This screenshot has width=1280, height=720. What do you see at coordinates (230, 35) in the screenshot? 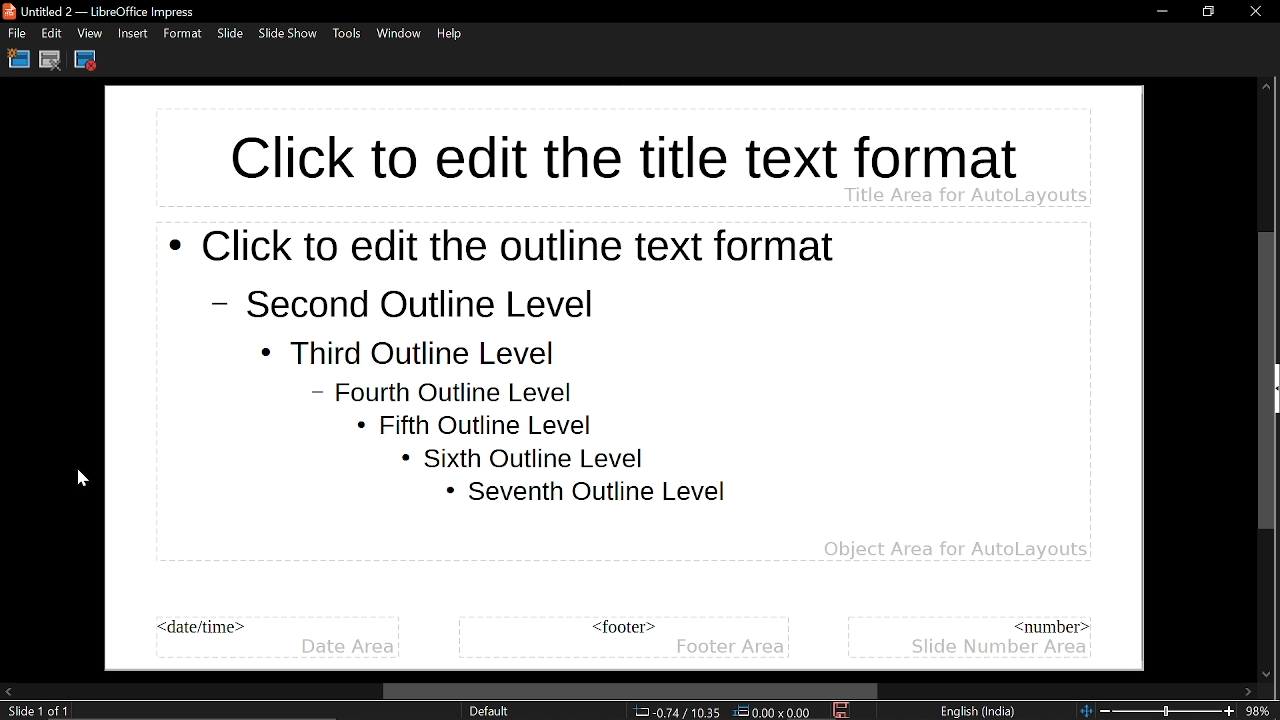
I see `Slide` at bounding box center [230, 35].